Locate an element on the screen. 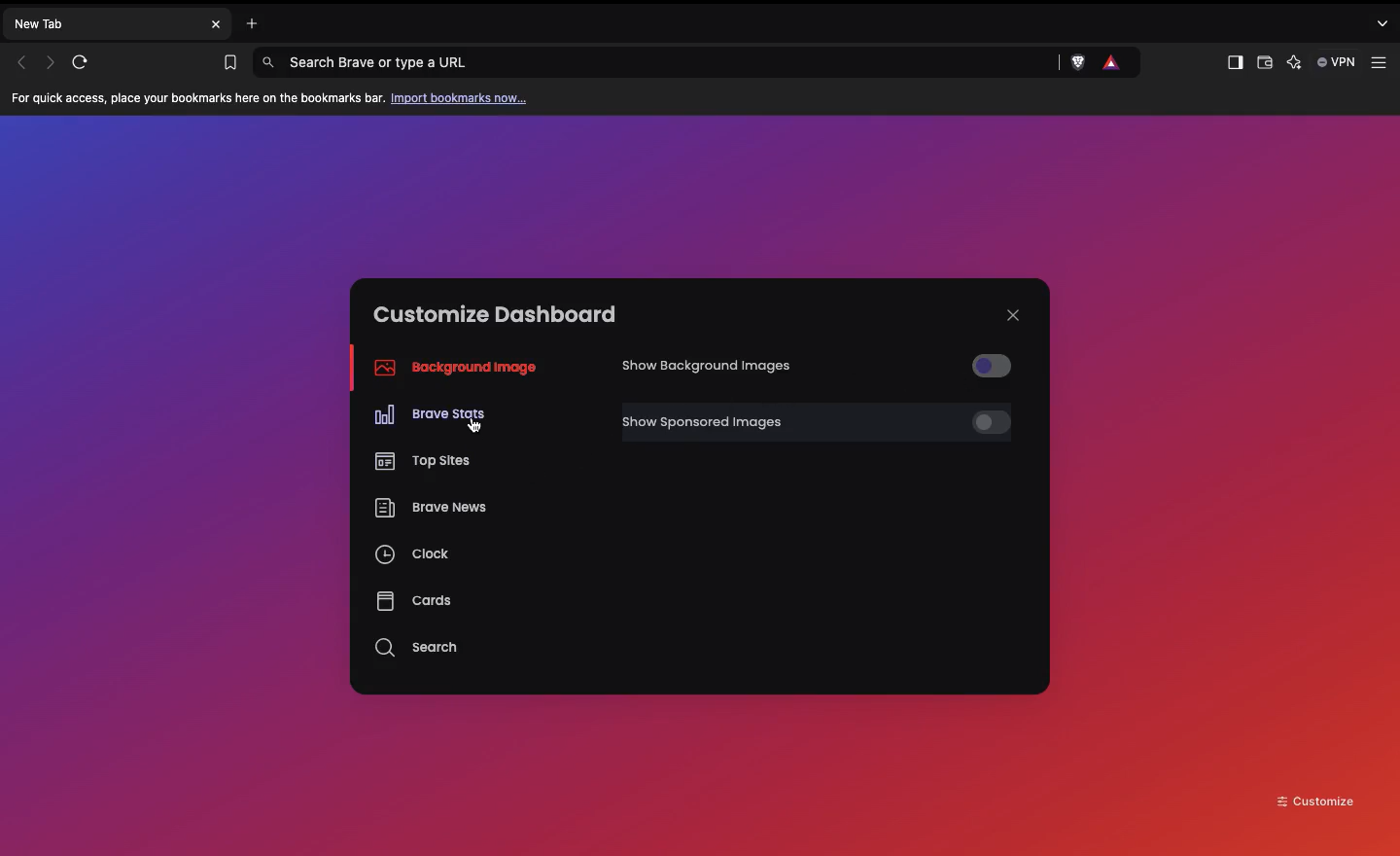 Image resolution: width=1400 pixels, height=856 pixels. Clock is located at coordinates (414, 557).